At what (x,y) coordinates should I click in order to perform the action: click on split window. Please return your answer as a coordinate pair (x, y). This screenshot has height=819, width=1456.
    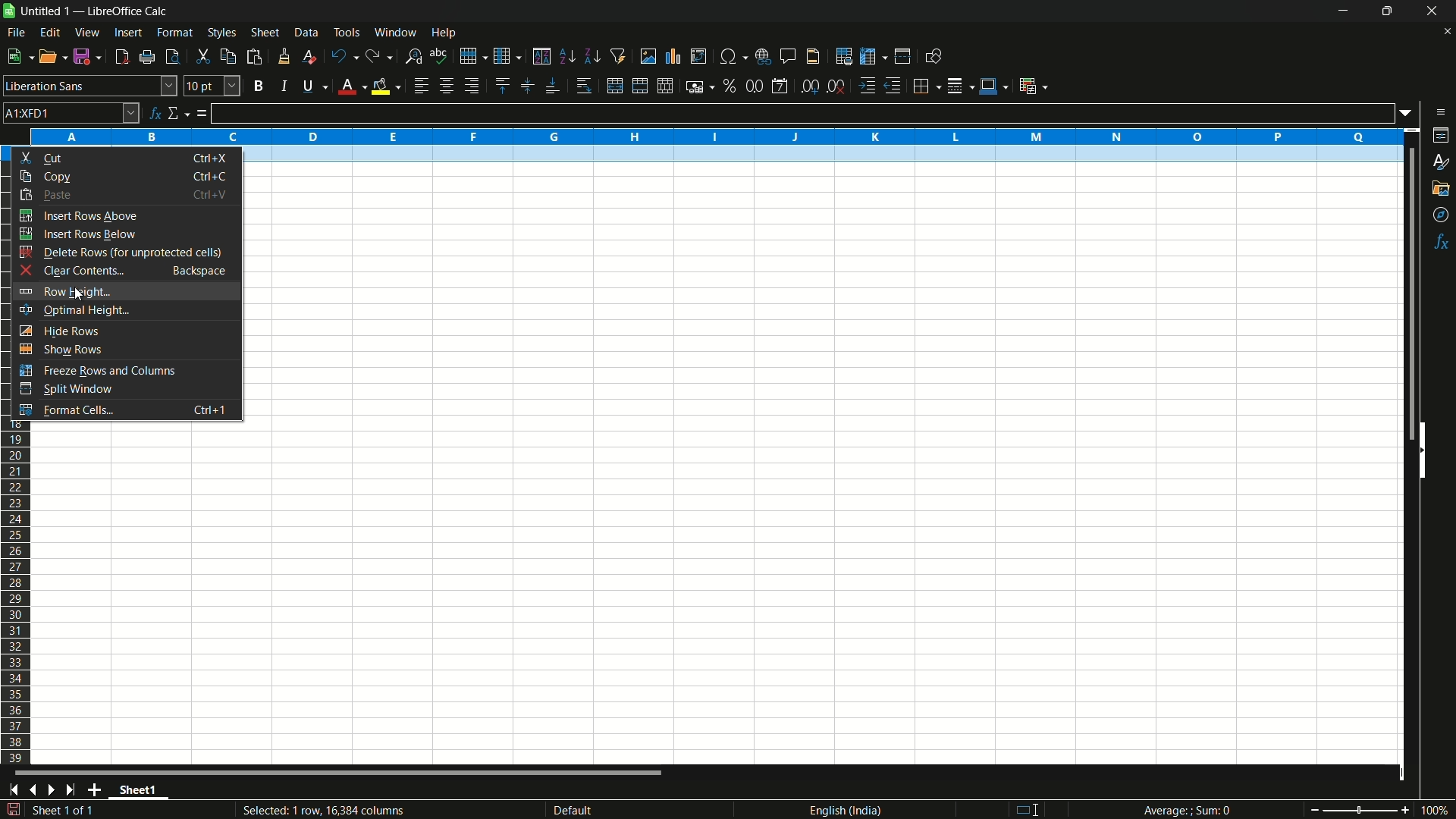
    Looking at the image, I should click on (128, 390).